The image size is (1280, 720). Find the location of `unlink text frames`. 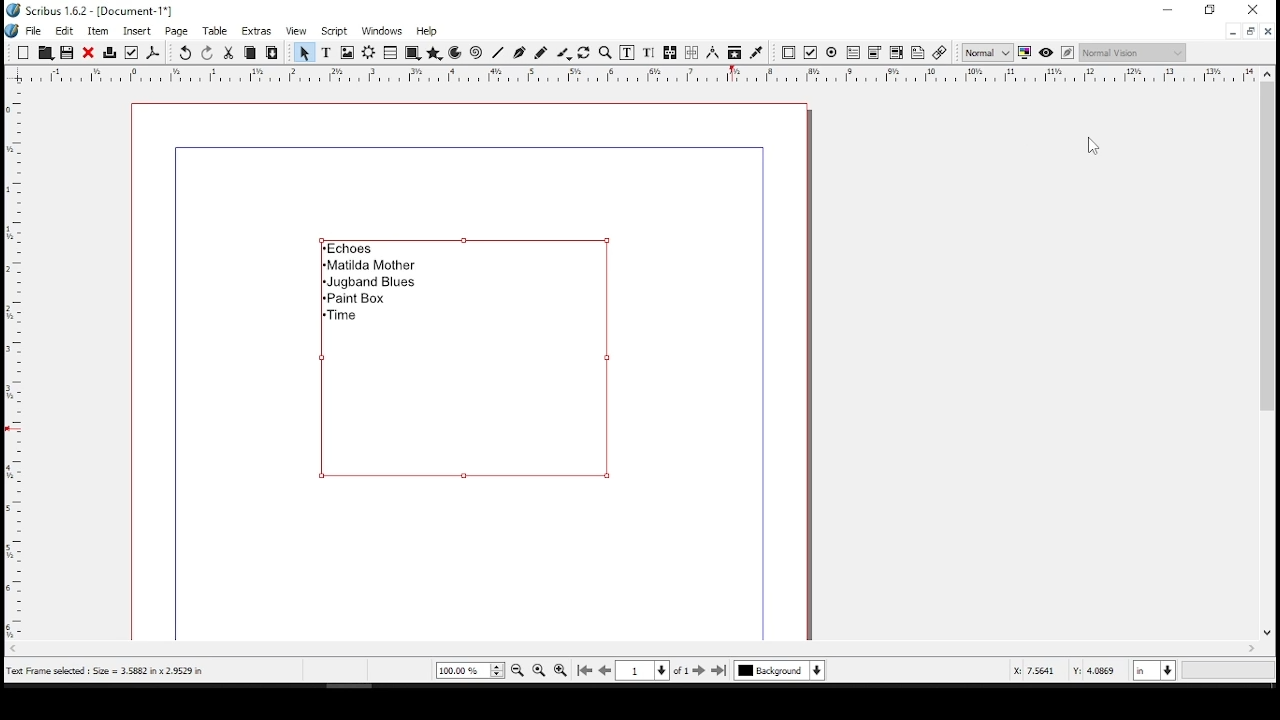

unlink text frames is located at coordinates (692, 52).